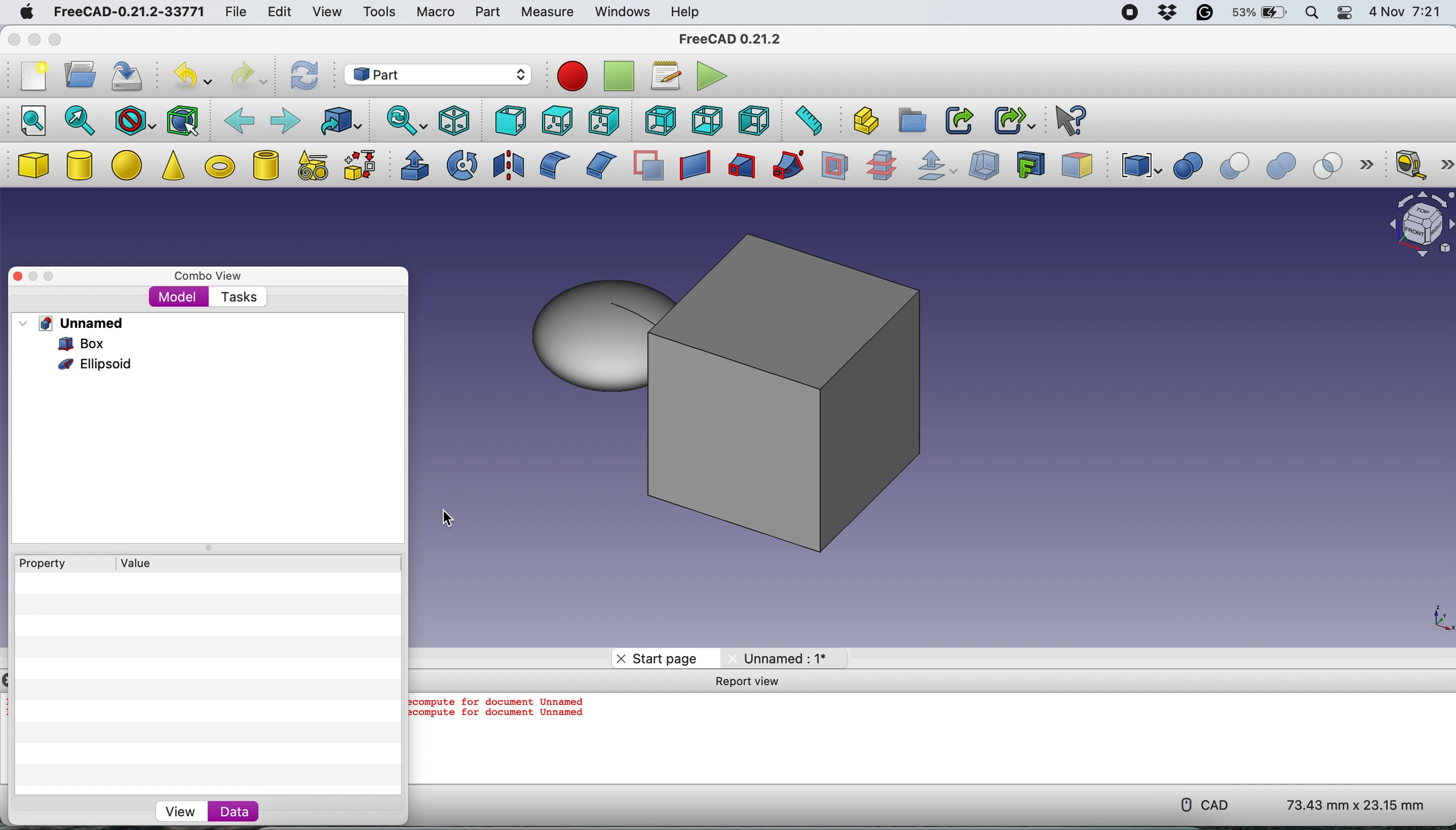 The height and width of the screenshot is (830, 1456). What do you see at coordinates (47, 563) in the screenshot?
I see `Property` at bounding box center [47, 563].